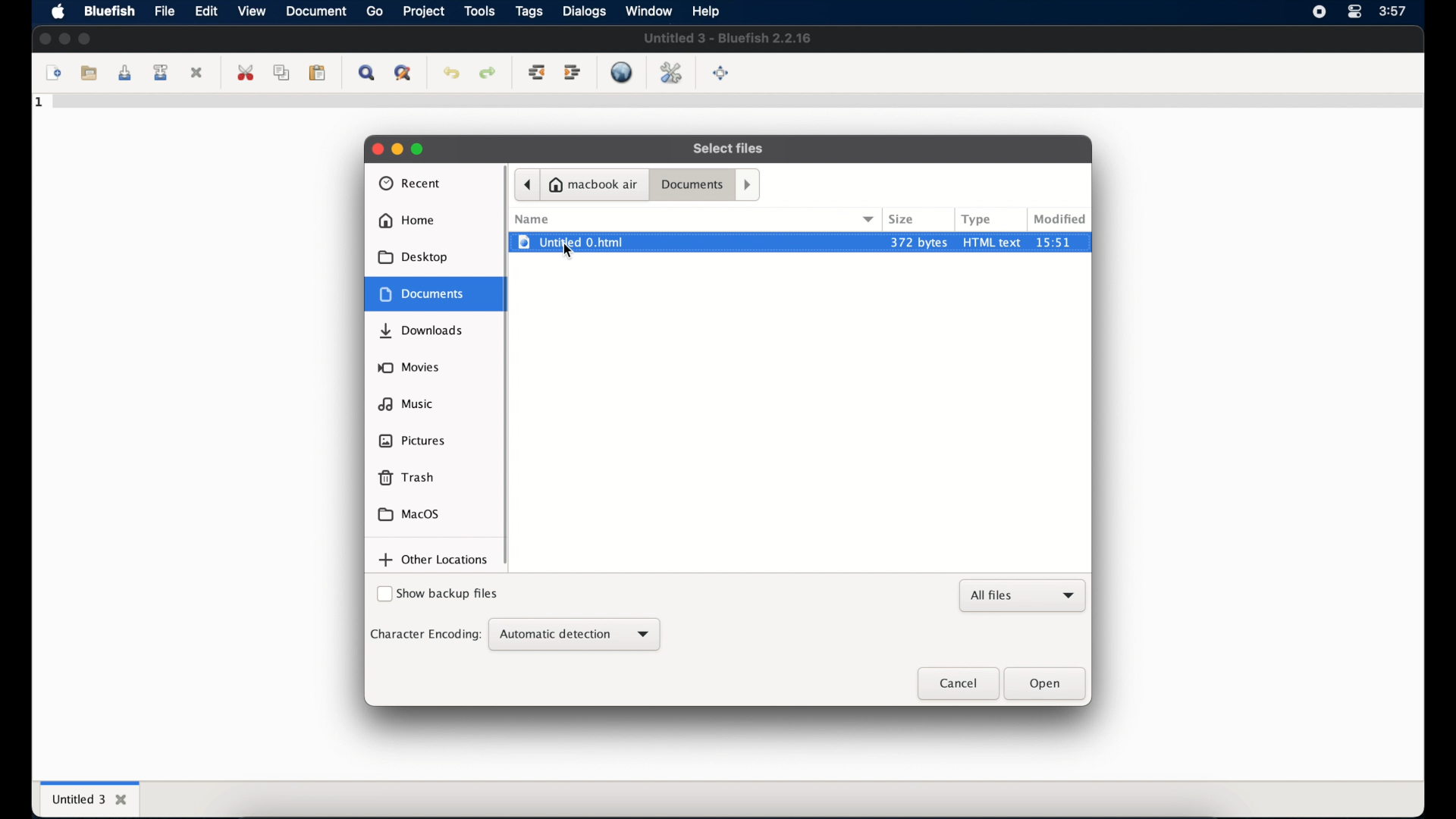  I want to click on dialogs, so click(584, 11).